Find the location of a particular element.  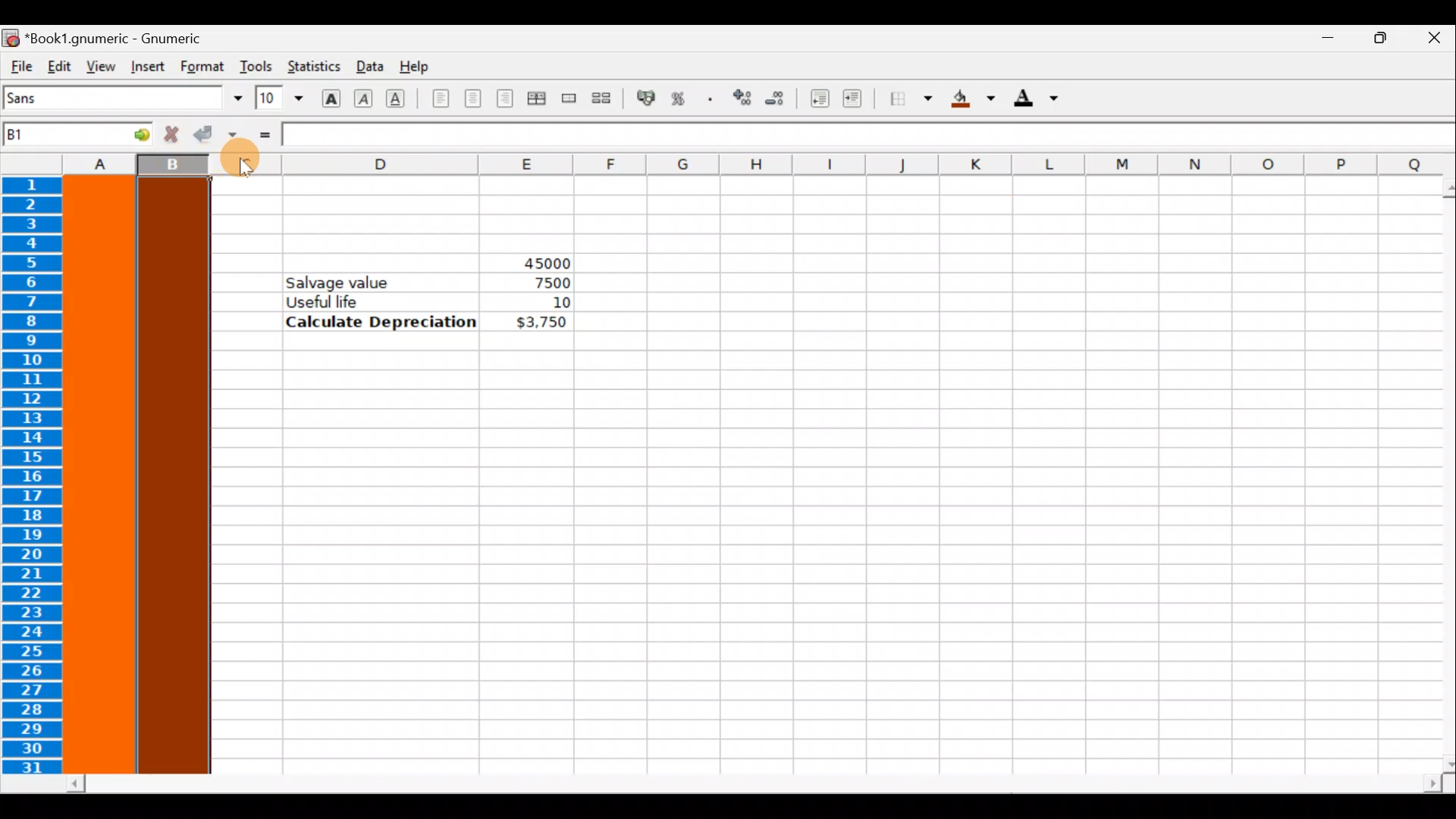

Centre horizontally is located at coordinates (472, 103).